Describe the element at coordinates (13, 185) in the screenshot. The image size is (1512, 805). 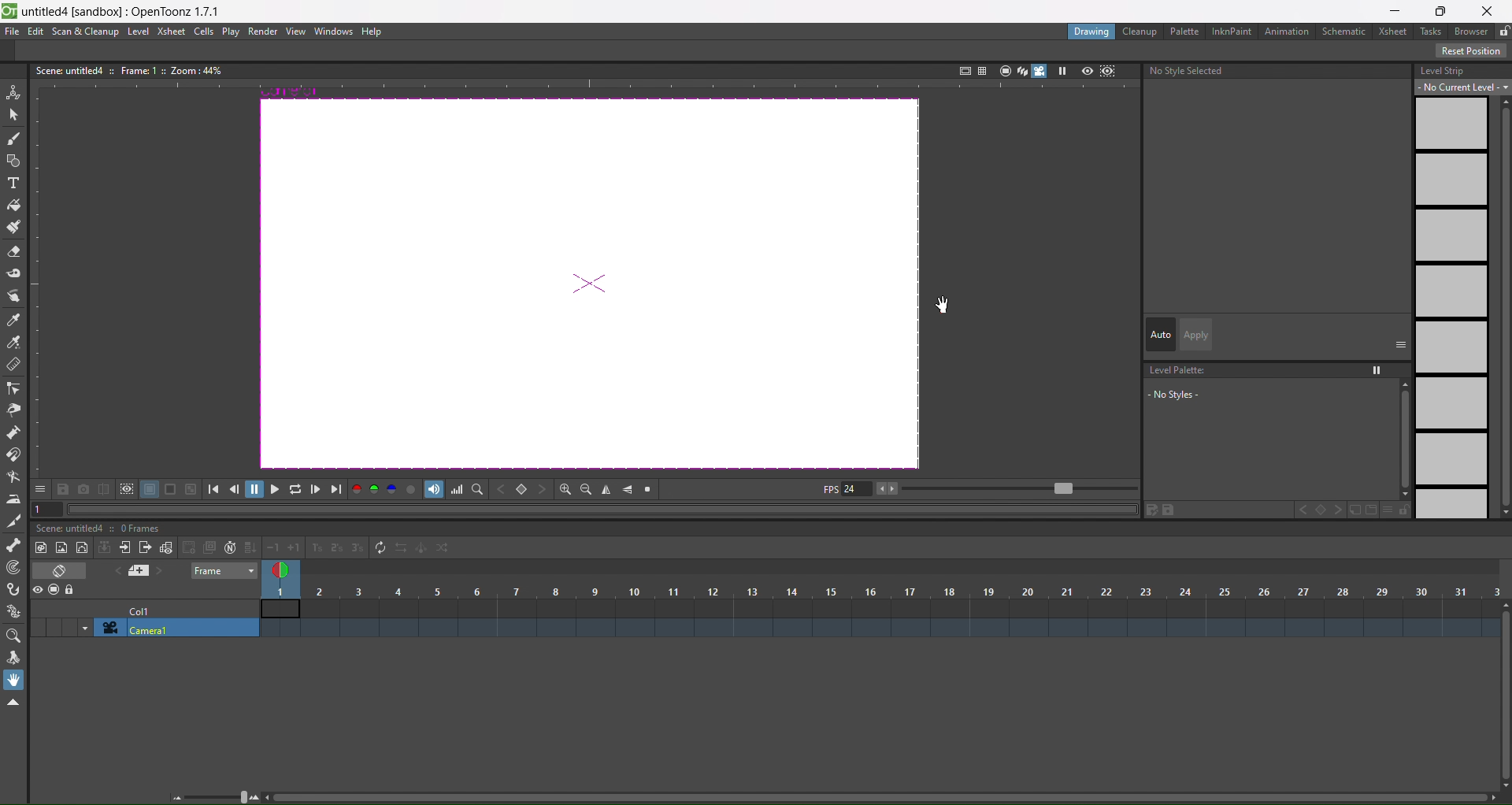
I see `type tool` at that location.